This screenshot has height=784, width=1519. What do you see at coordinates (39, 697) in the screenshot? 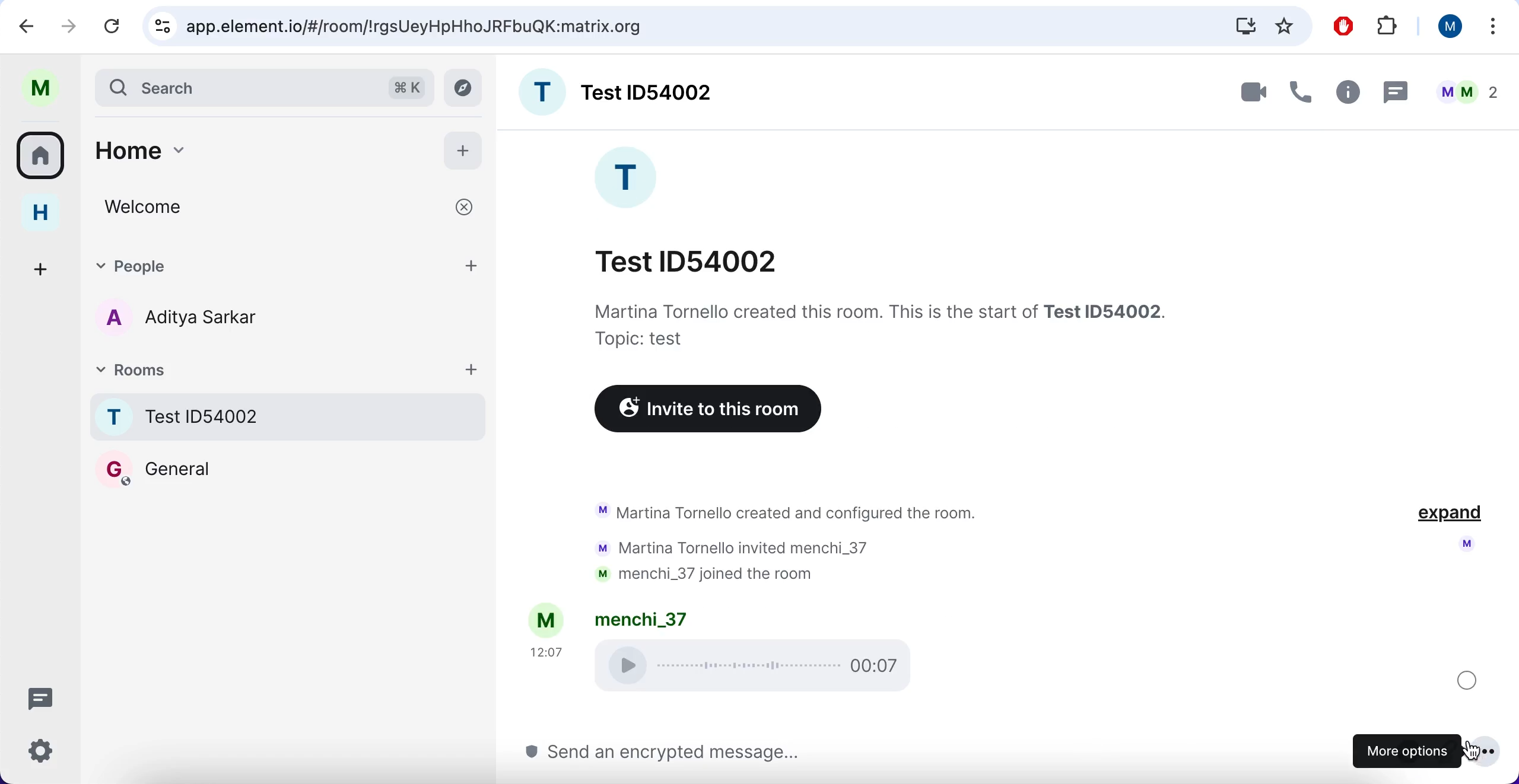
I see `threads` at bounding box center [39, 697].